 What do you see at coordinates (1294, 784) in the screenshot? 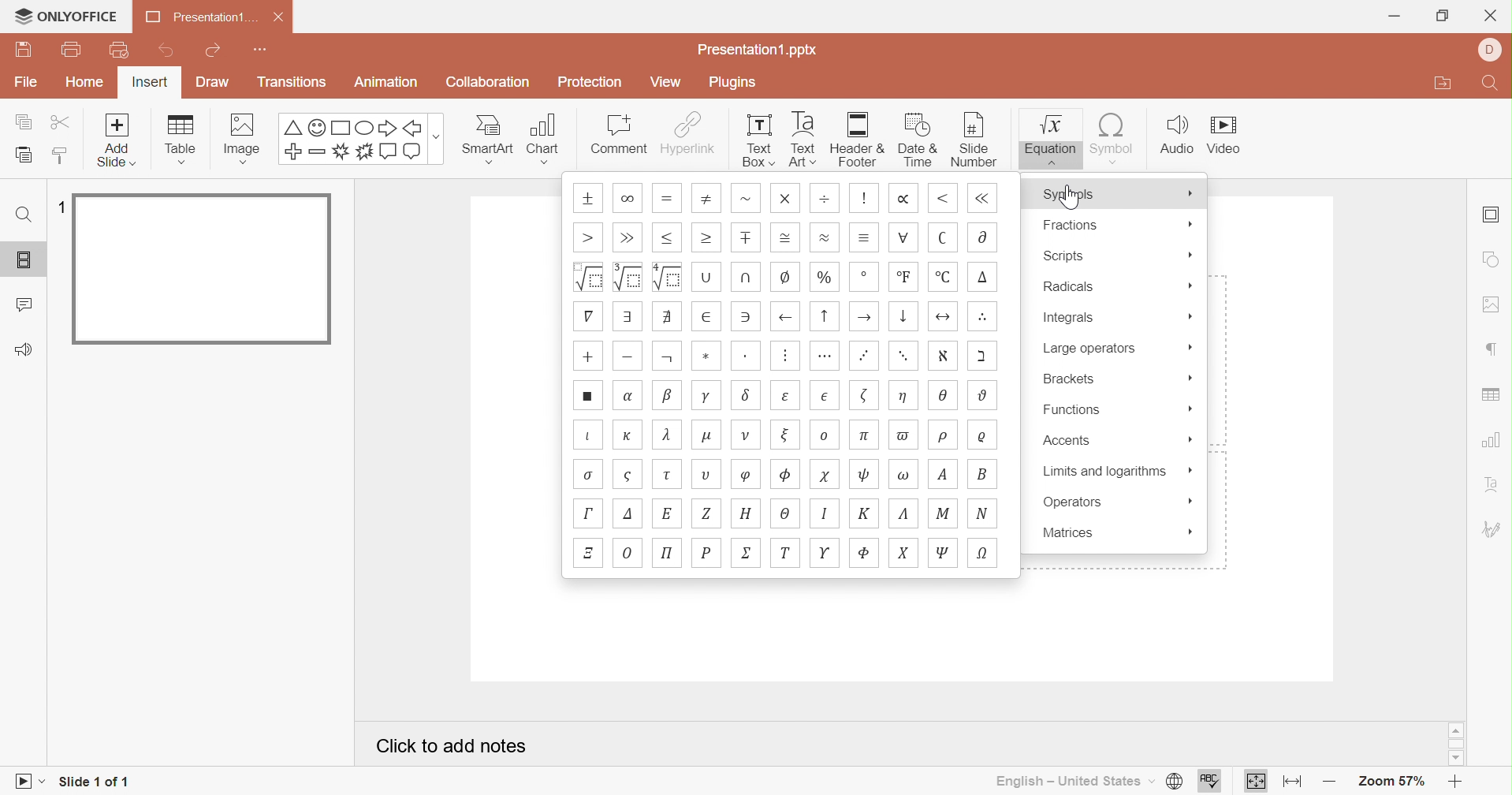
I see `Fit to width` at bounding box center [1294, 784].